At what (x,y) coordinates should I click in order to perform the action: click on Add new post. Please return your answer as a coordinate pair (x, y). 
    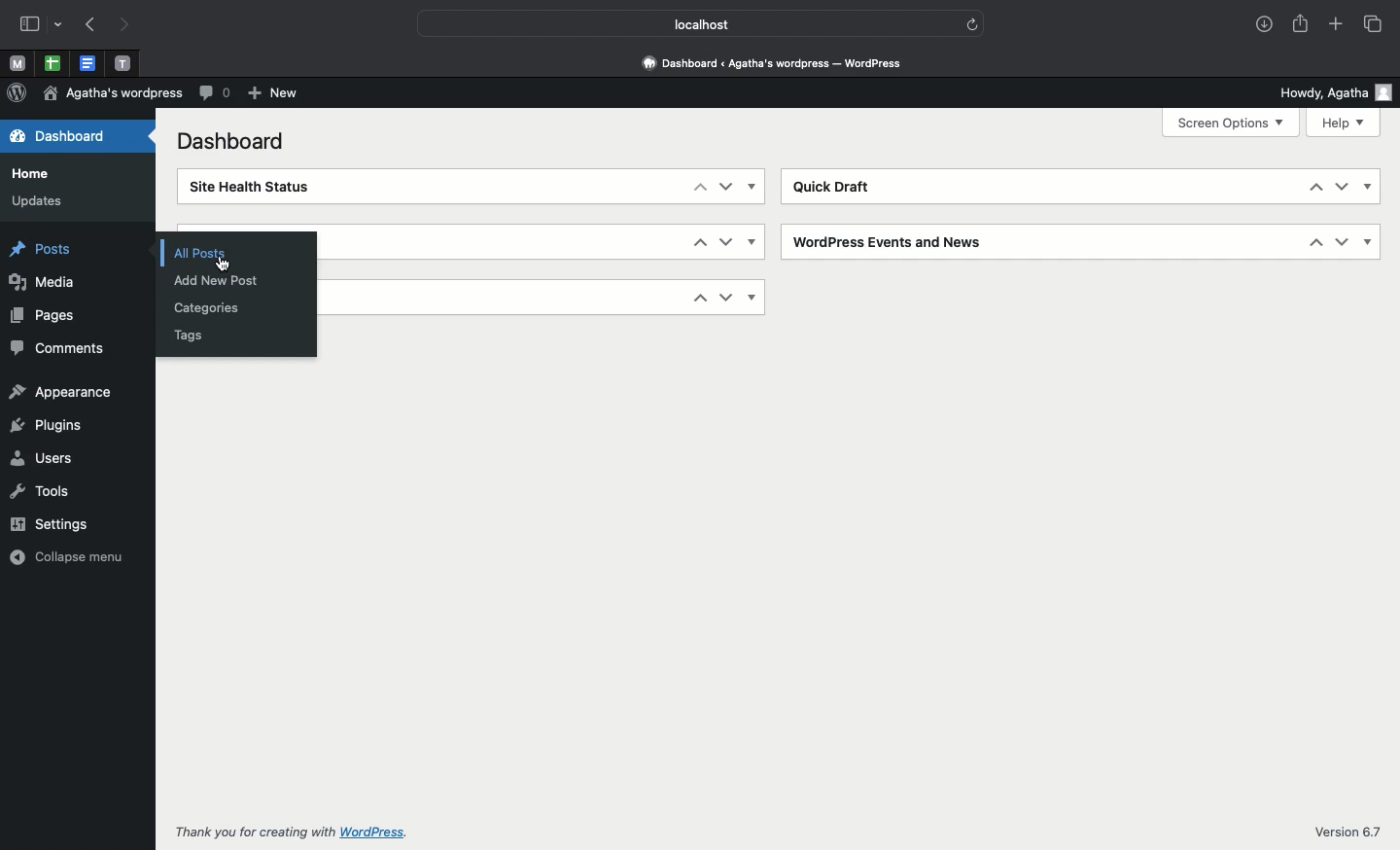
    Looking at the image, I should click on (215, 280).